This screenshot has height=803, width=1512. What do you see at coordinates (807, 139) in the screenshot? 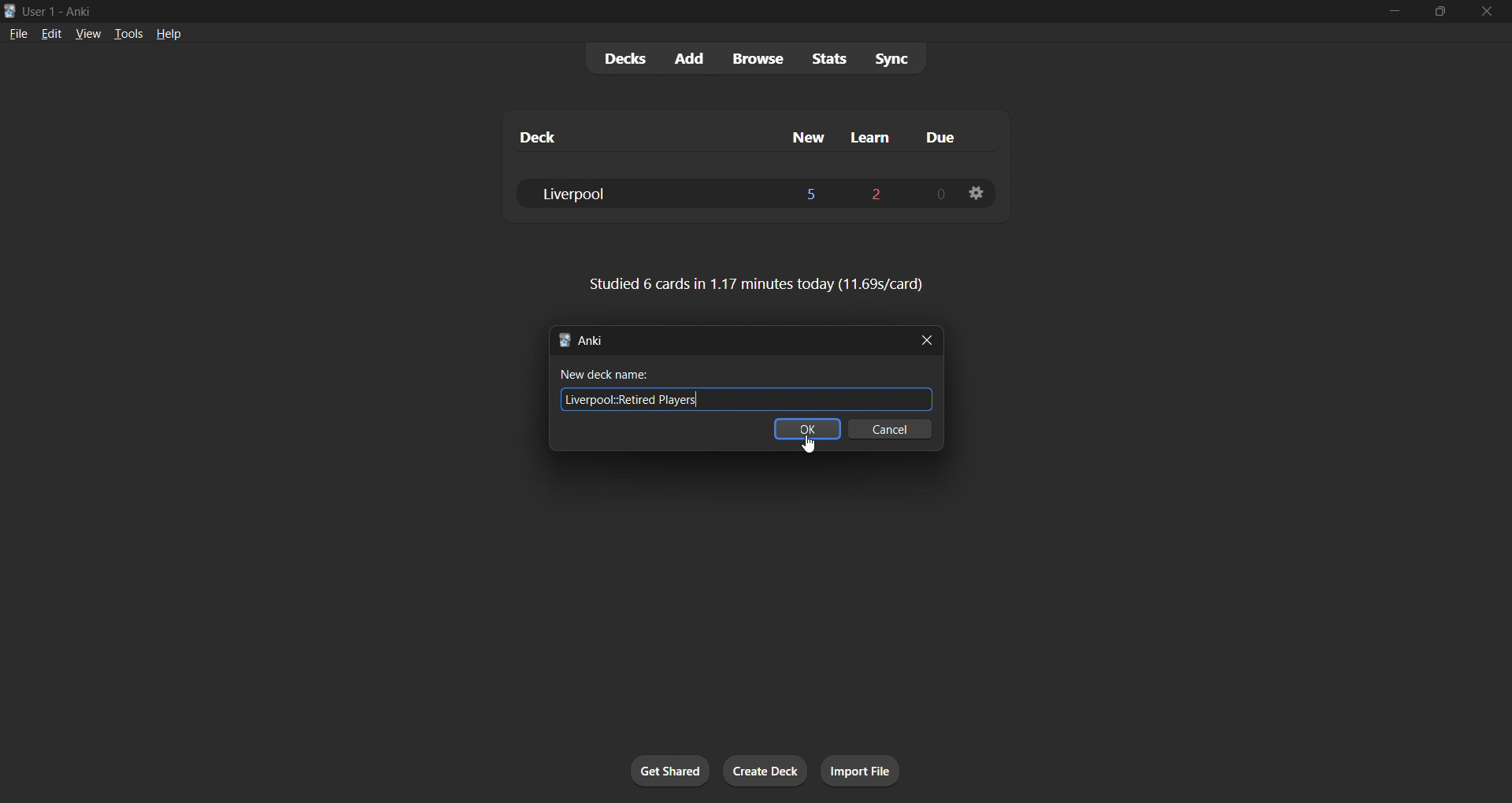
I see `new cards column` at bounding box center [807, 139].